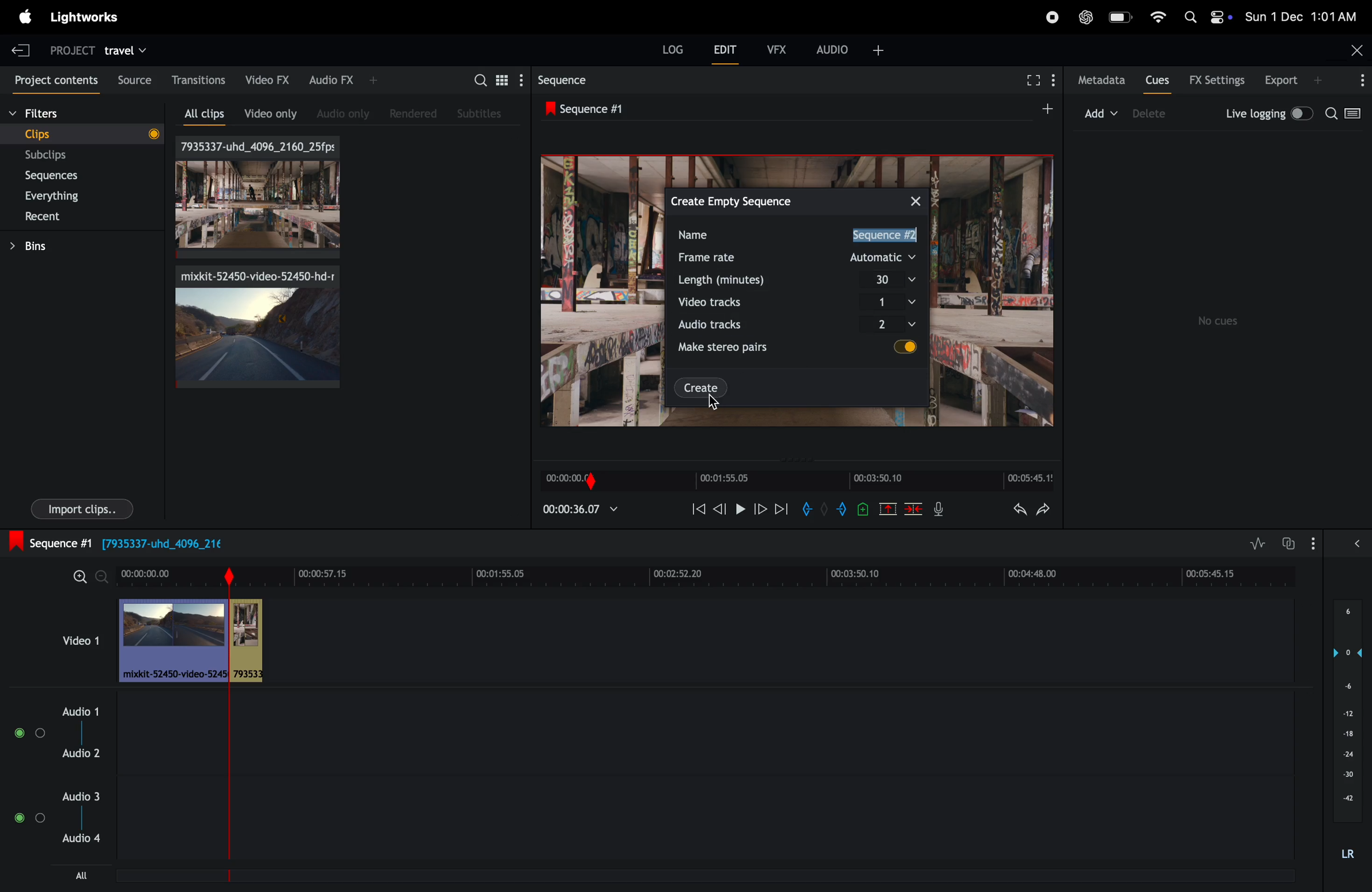  I want to click on toggle audio levels, so click(1257, 543).